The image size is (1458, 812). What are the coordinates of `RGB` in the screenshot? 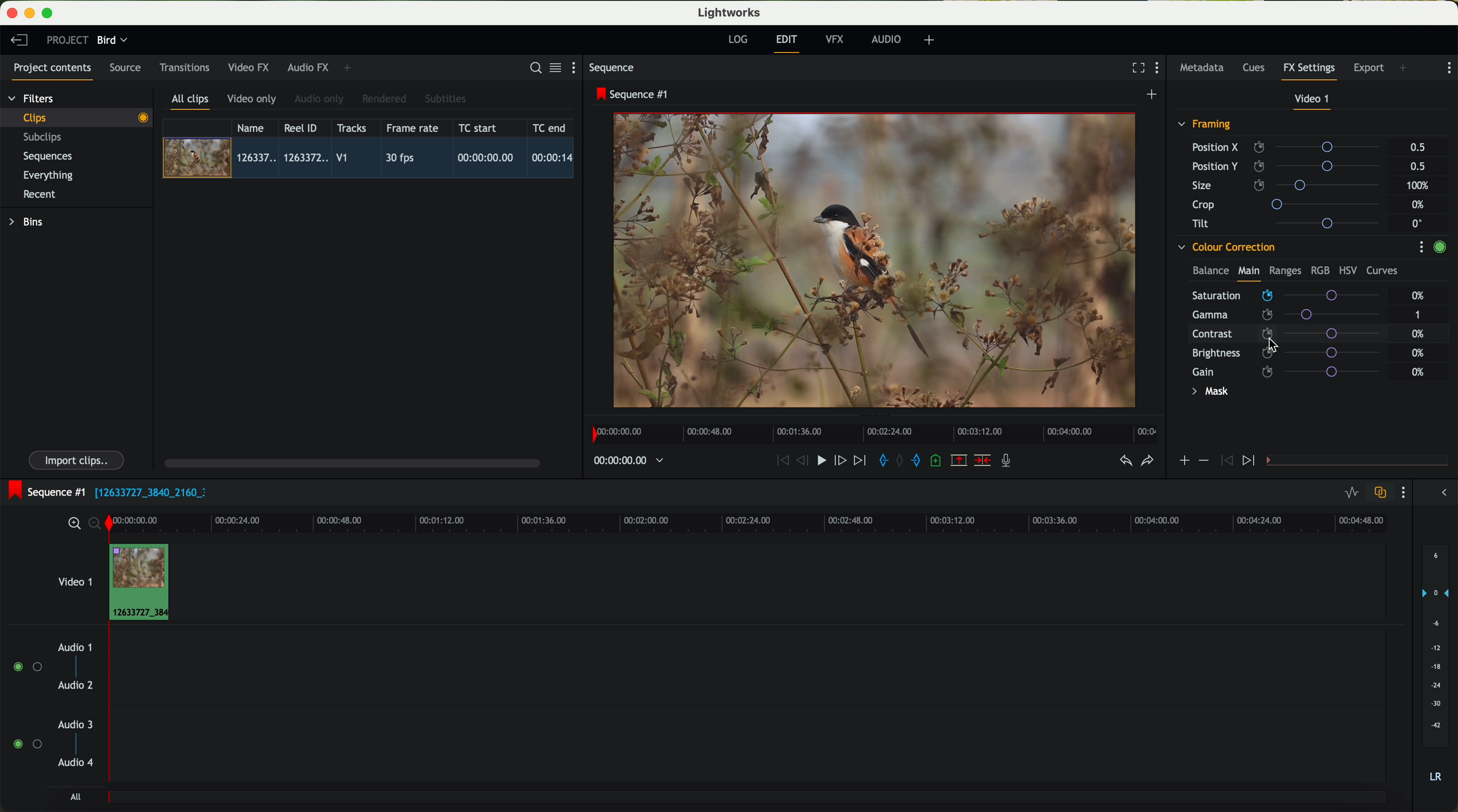 It's located at (1319, 269).